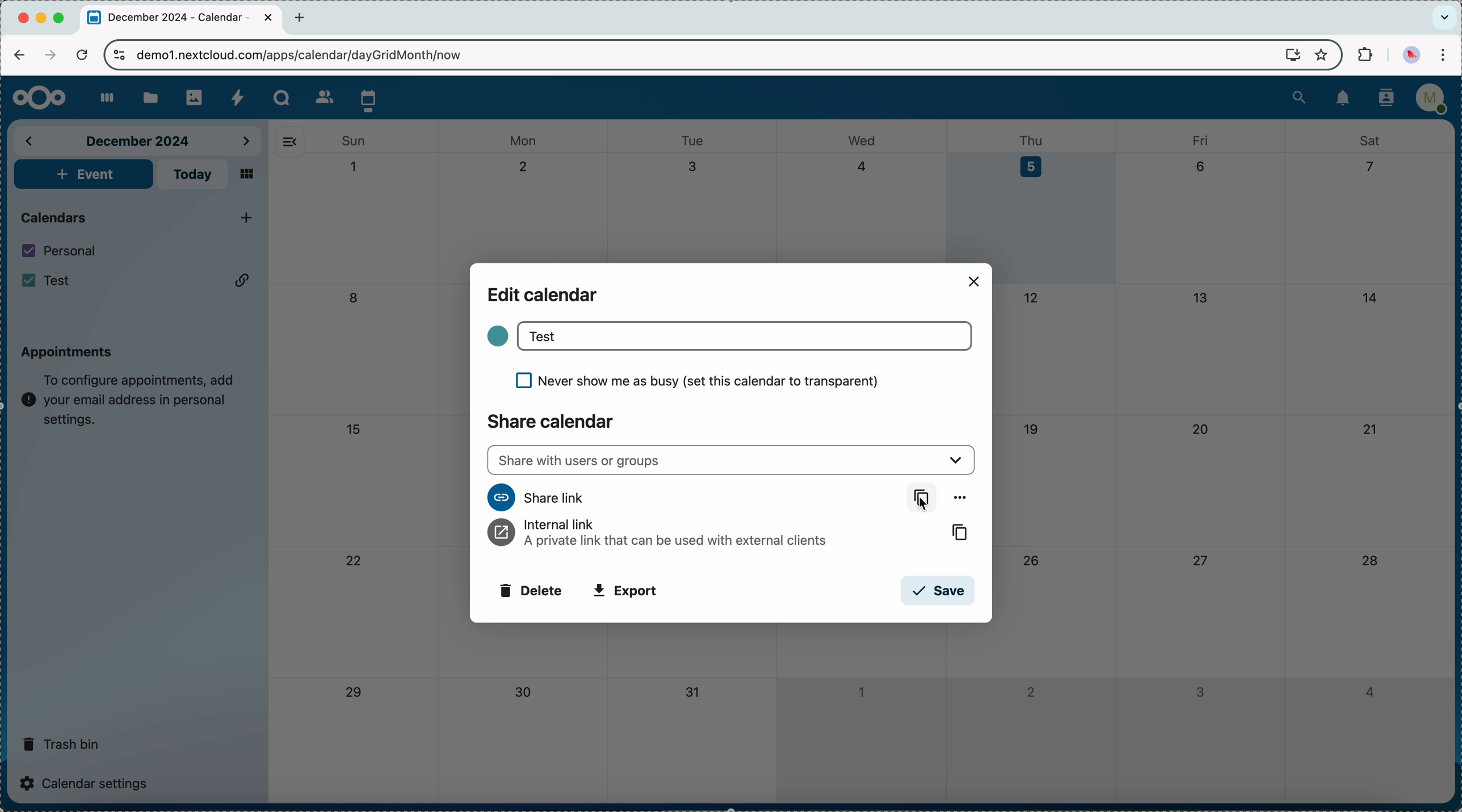 Image resolution: width=1462 pixels, height=812 pixels. What do you see at coordinates (1365, 167) in the screenshot?
I see `7` at bounding box center [1365, 167].